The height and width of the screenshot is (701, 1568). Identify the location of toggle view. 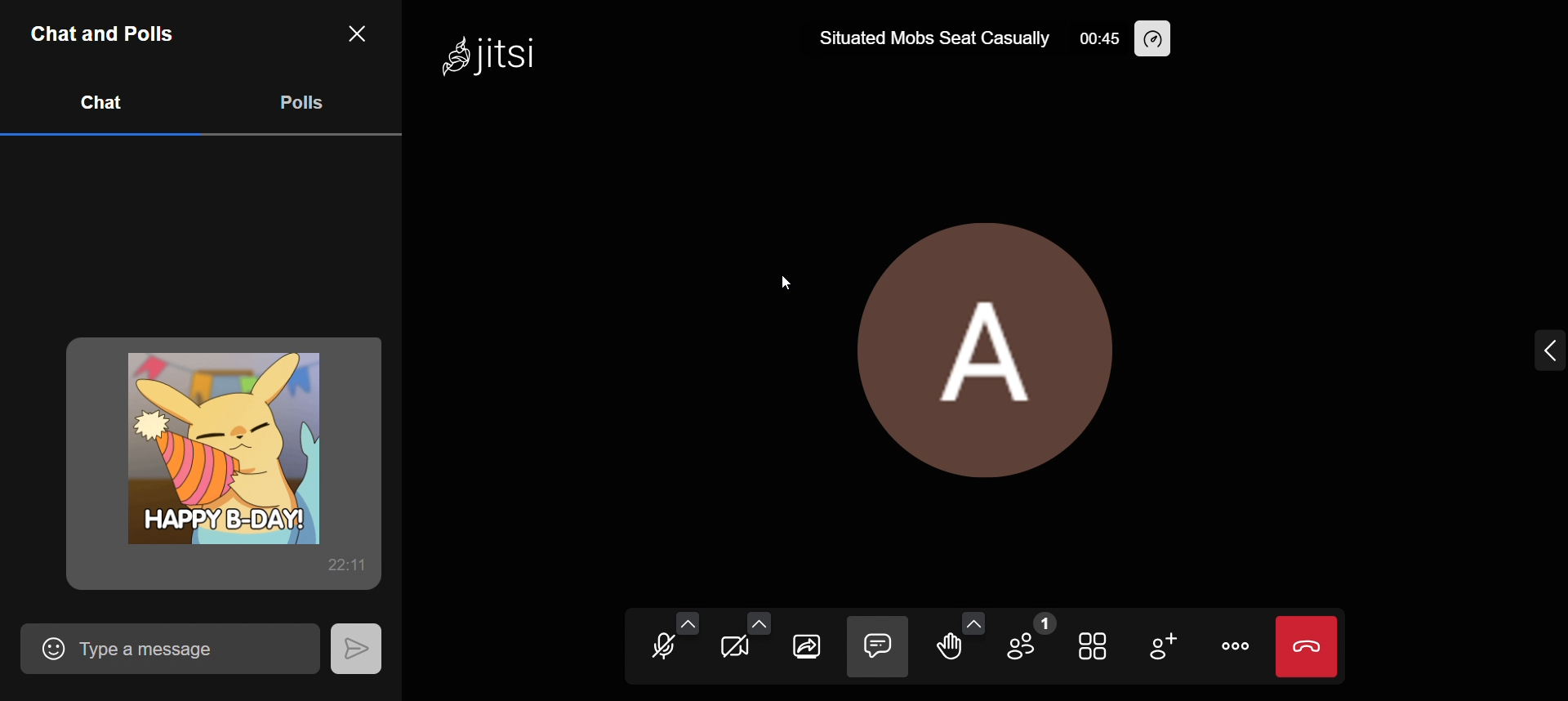
(1089, 642).